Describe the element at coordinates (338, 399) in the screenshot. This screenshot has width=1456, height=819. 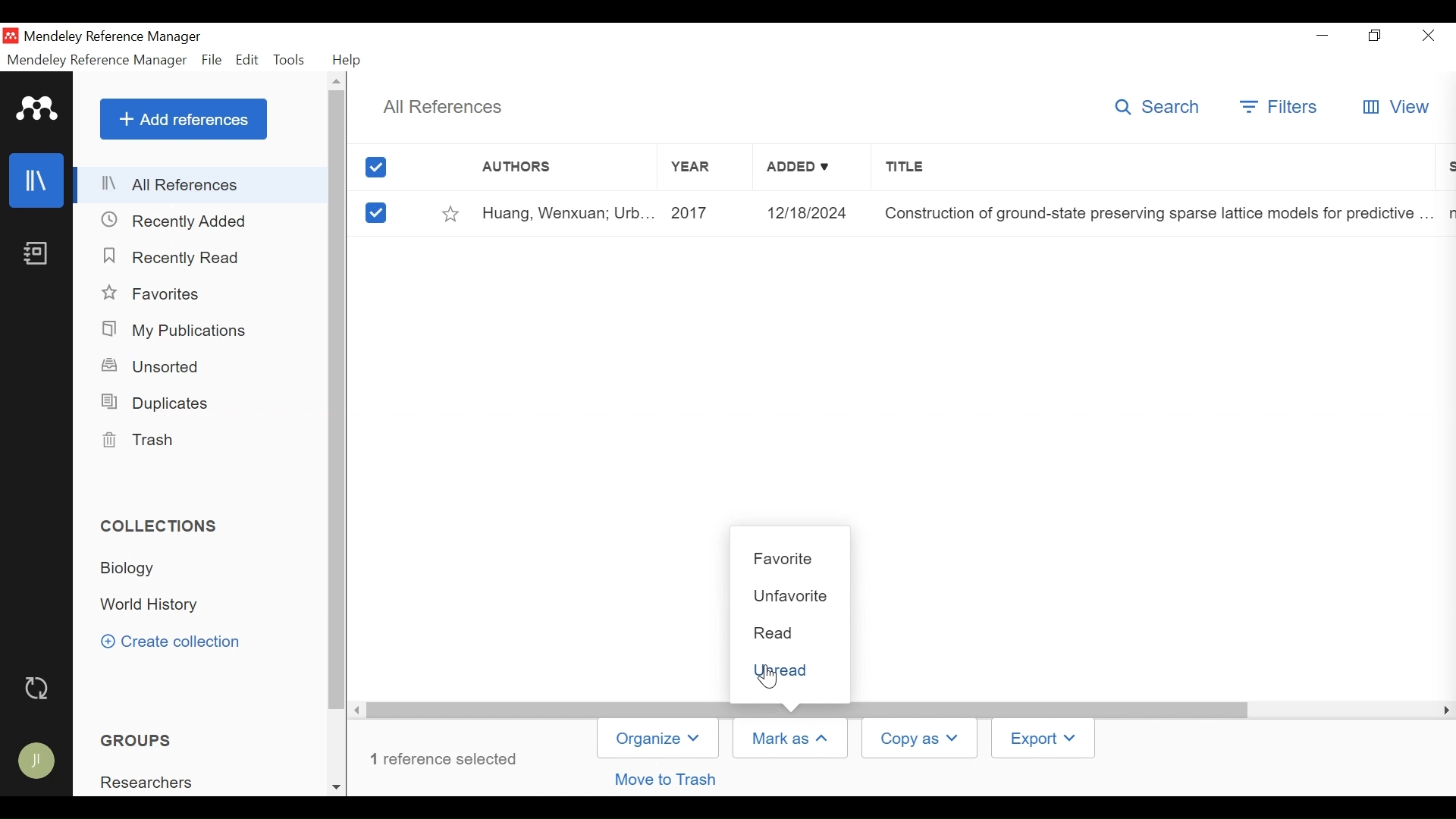
I see `Vertical Scroll bar` at that location.